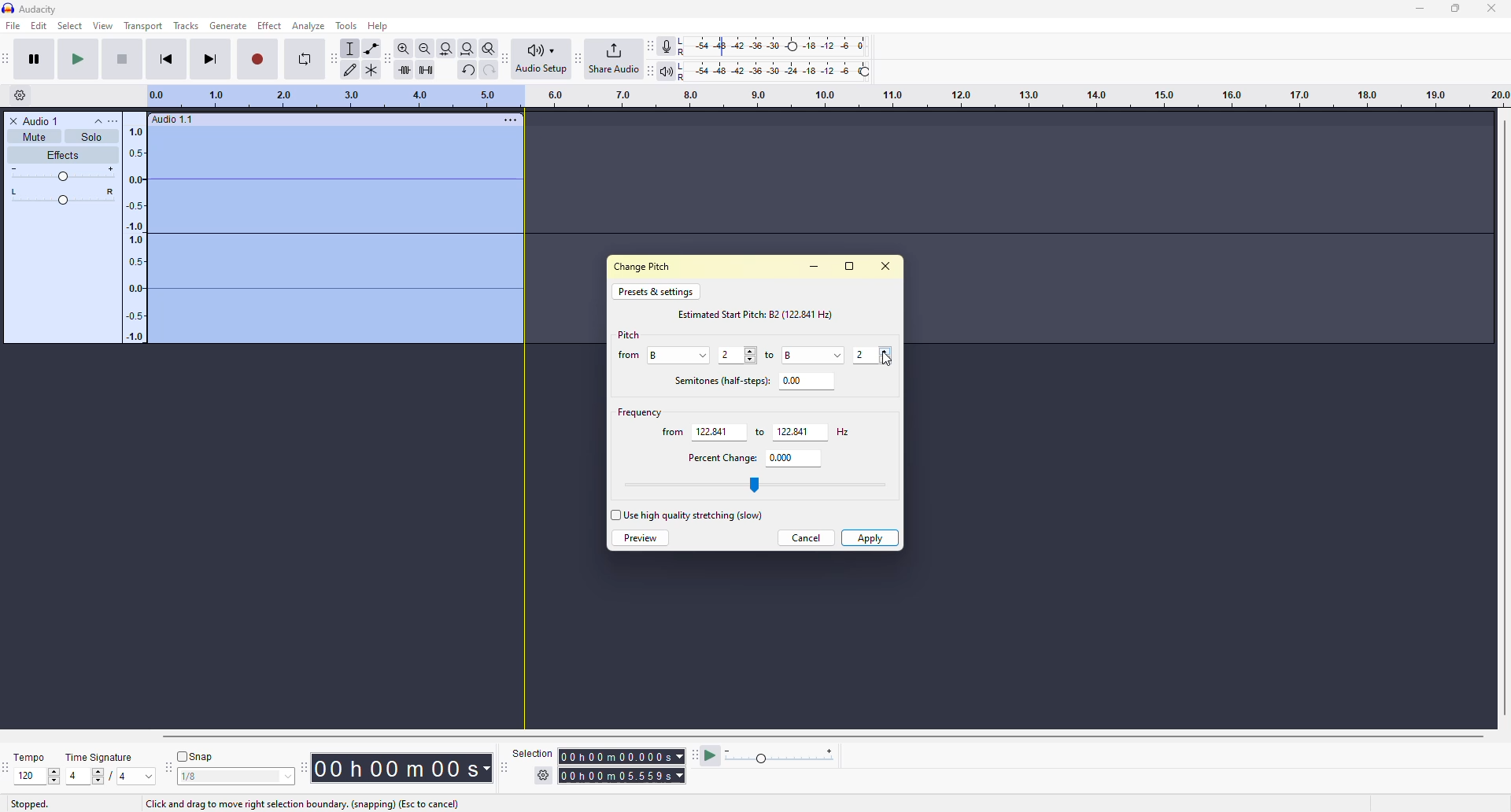  Describe the element at coordinates (28, 775) in the screenshot. I see `120` at that location.